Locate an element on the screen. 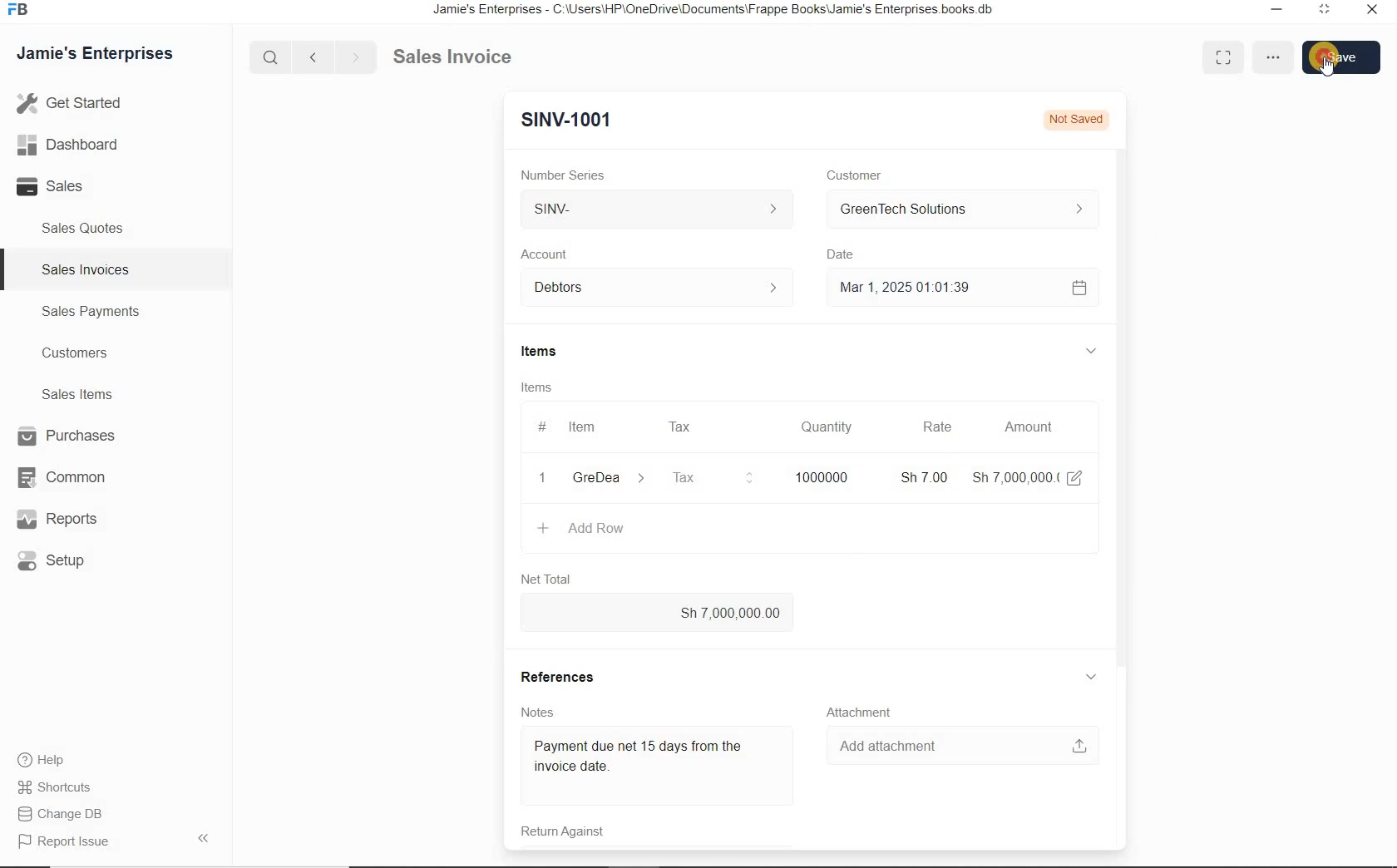 Image resolution: width=1397 pixels, height=868 pixels. Attachment is located at coordinates (863, 711).